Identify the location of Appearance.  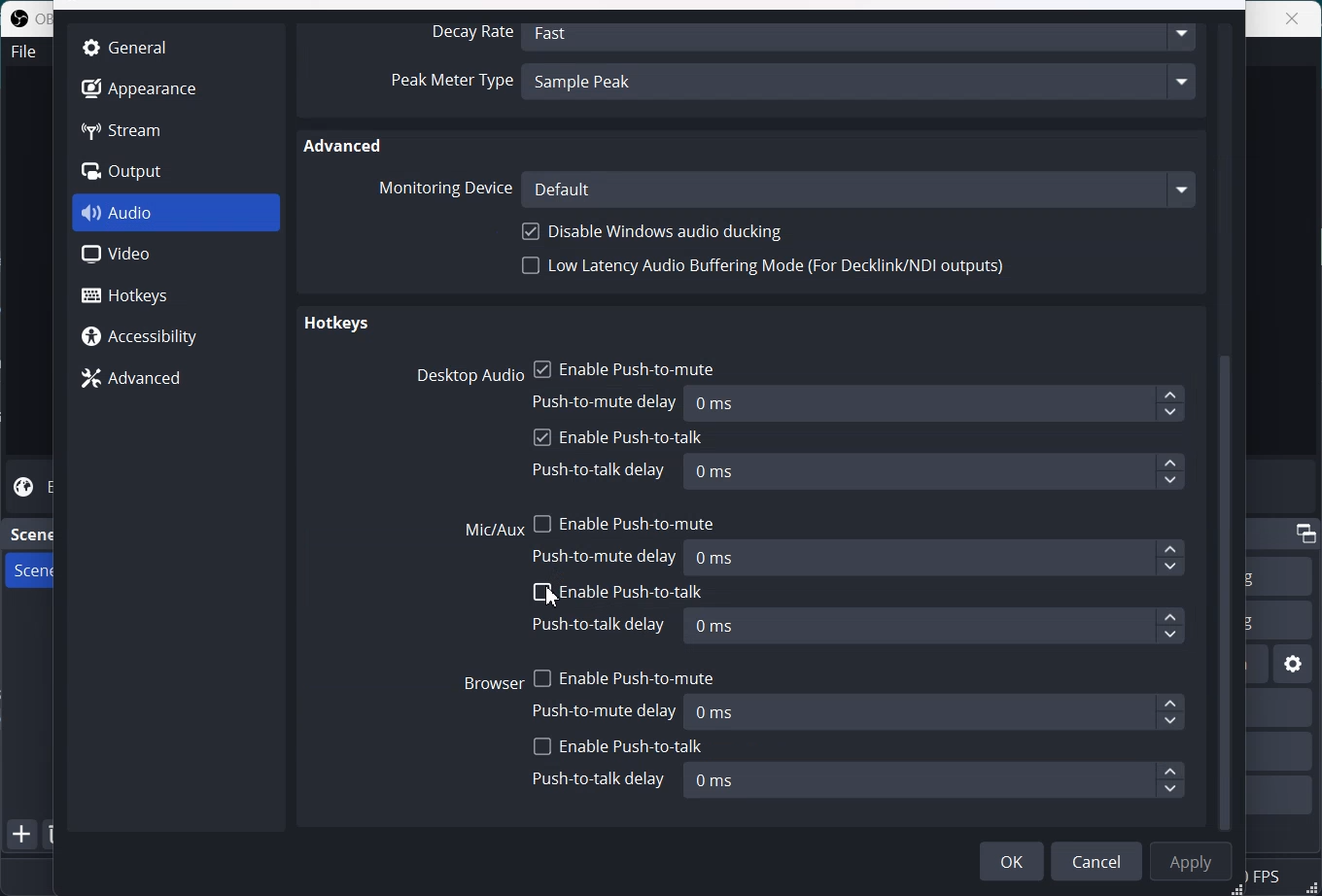
(138, 86).